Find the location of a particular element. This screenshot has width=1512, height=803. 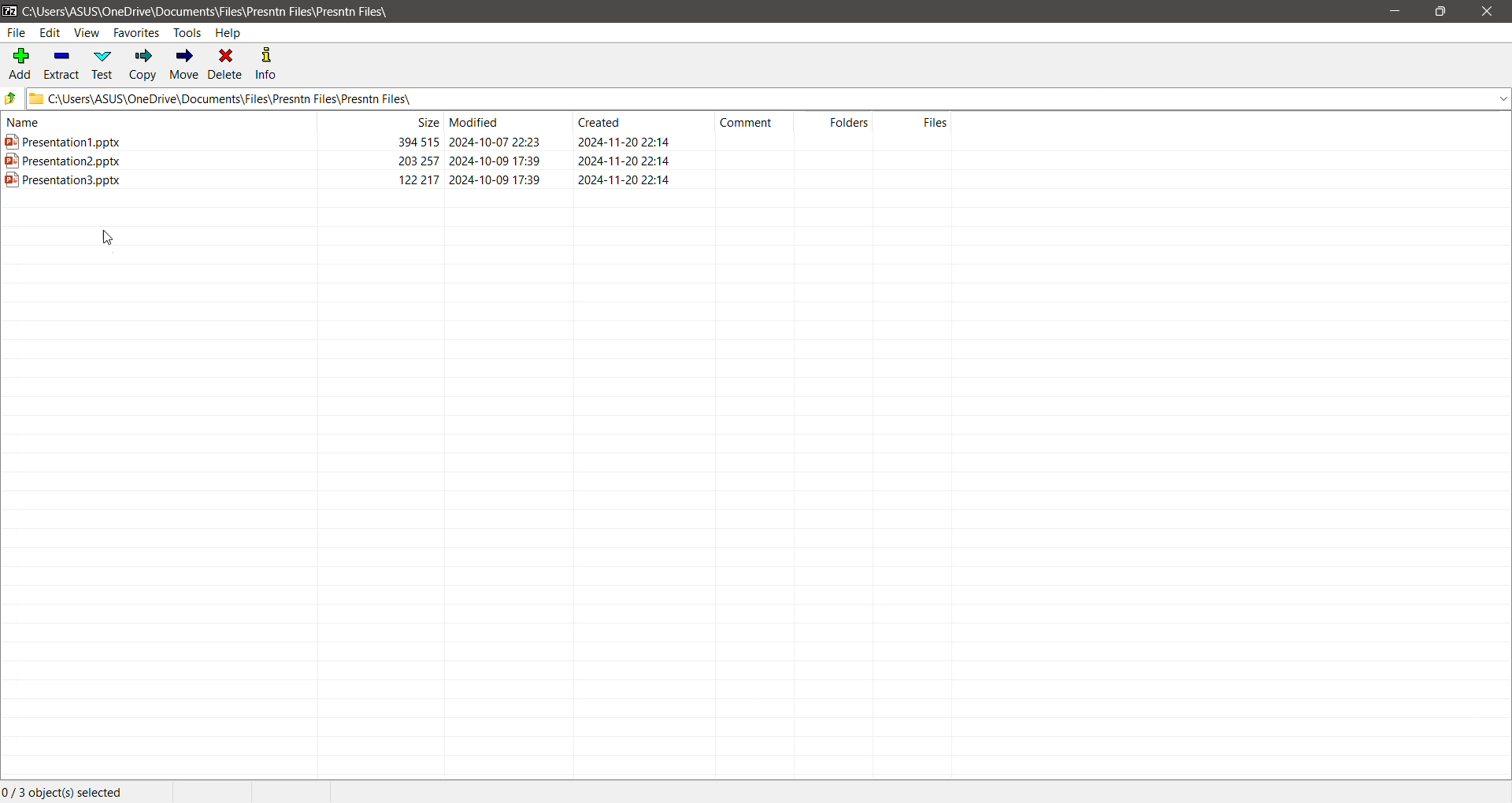

Delete is located at coordinates (227, 65).